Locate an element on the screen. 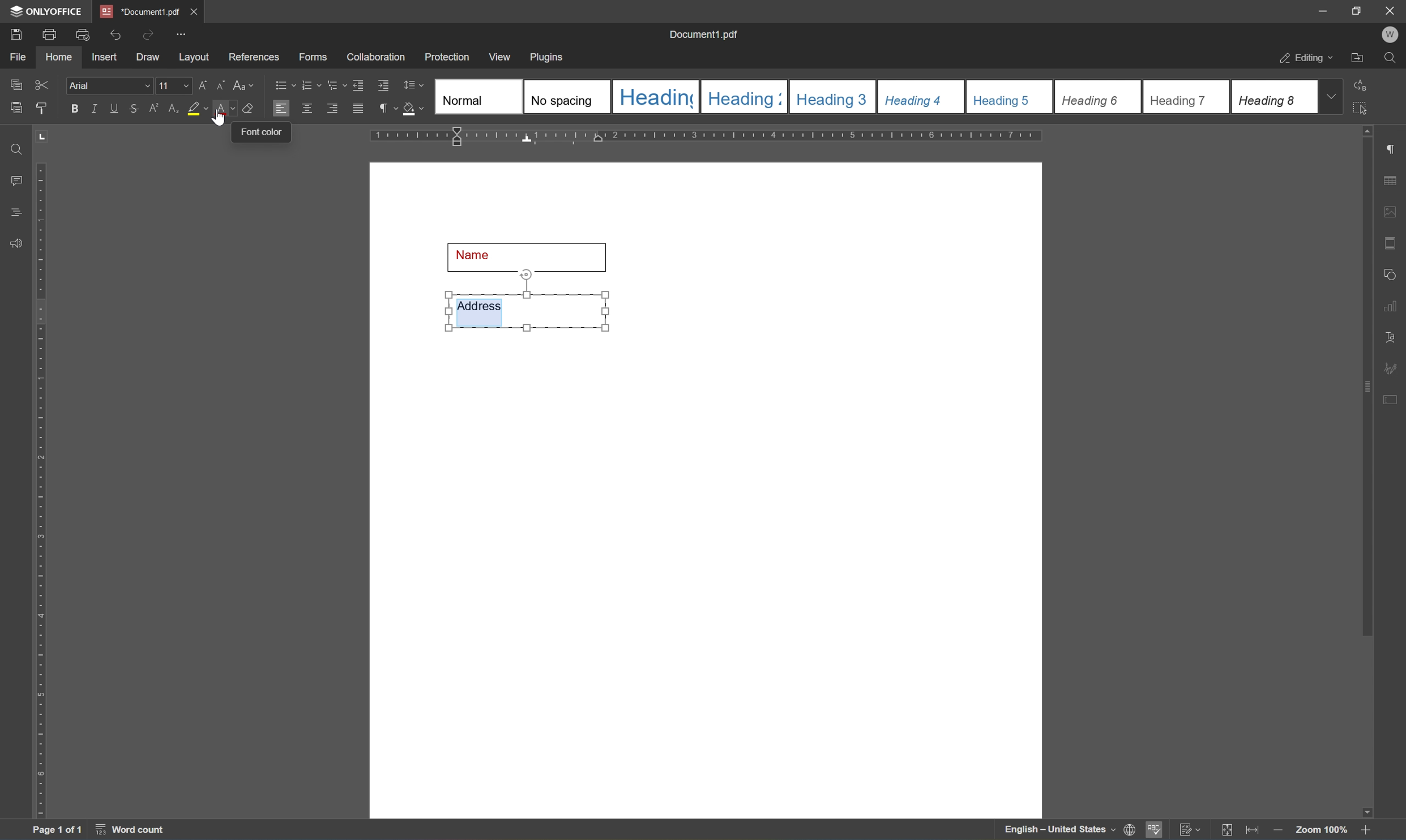 The image size is (1406, 840). find is located at coordinates (12, 147).